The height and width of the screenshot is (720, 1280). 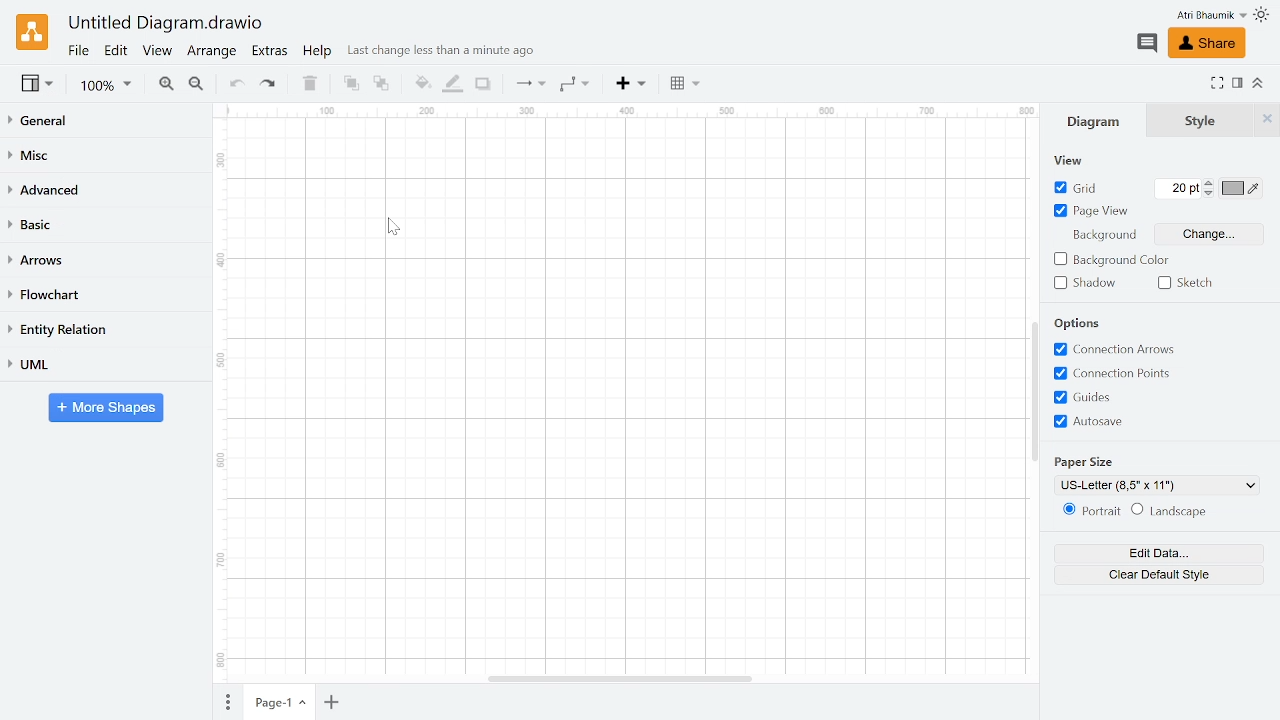 I want to click on Collpase, so click(x=1256, y=85).